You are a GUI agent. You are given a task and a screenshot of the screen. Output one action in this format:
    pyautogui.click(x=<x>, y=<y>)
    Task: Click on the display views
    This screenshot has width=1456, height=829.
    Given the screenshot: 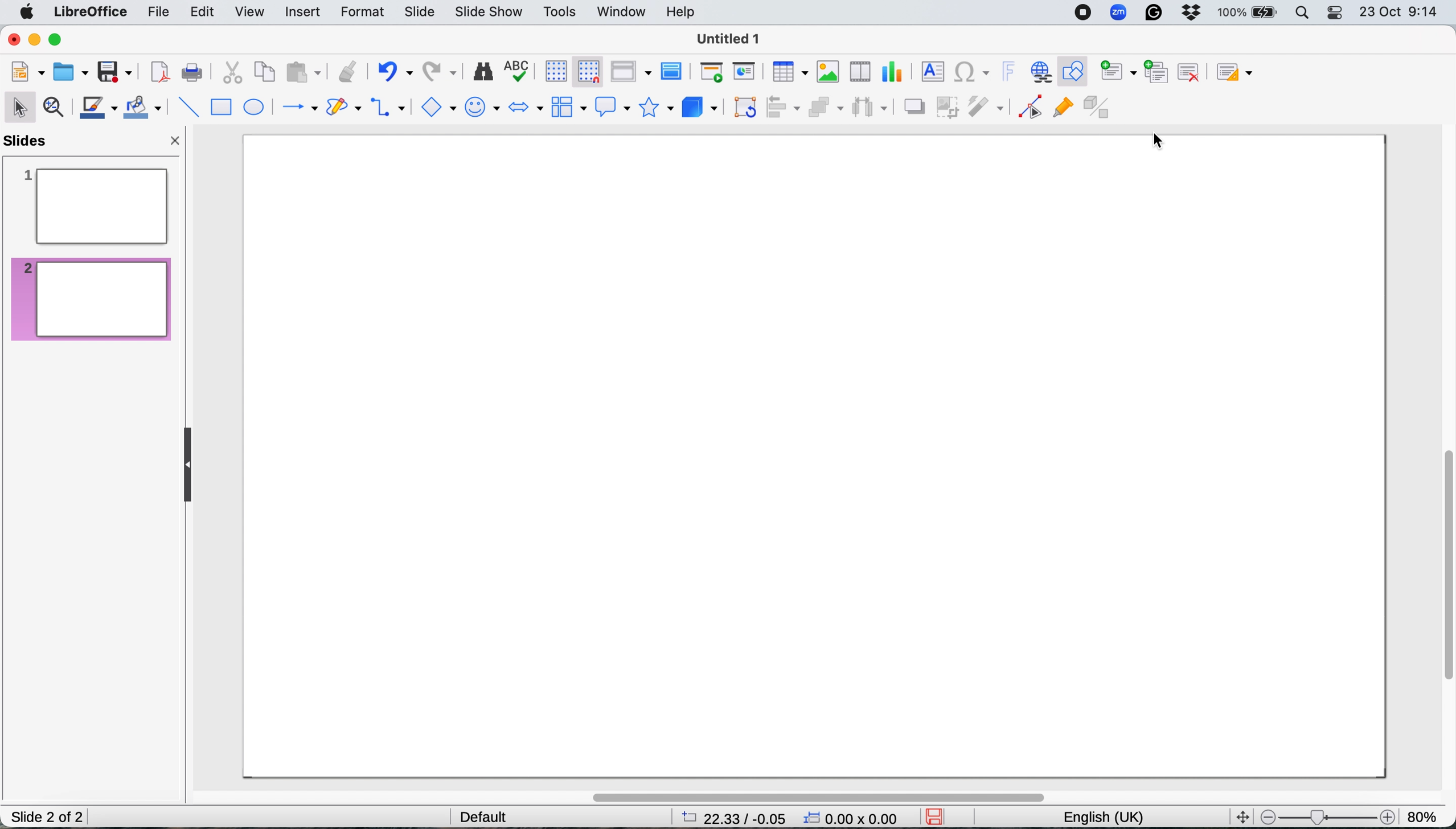 What is the action you would take?
    pyautogui.click(x=633, y=72)
    